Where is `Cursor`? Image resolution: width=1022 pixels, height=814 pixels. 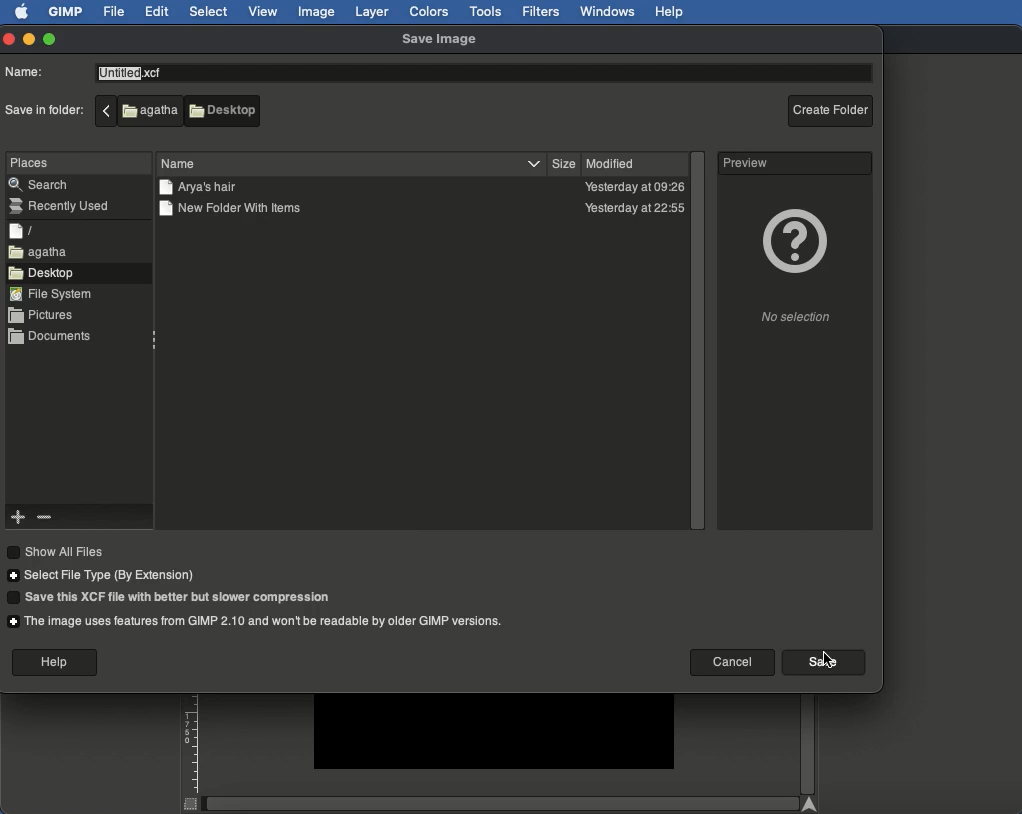 Cursor is located at coordinates (830, 663).